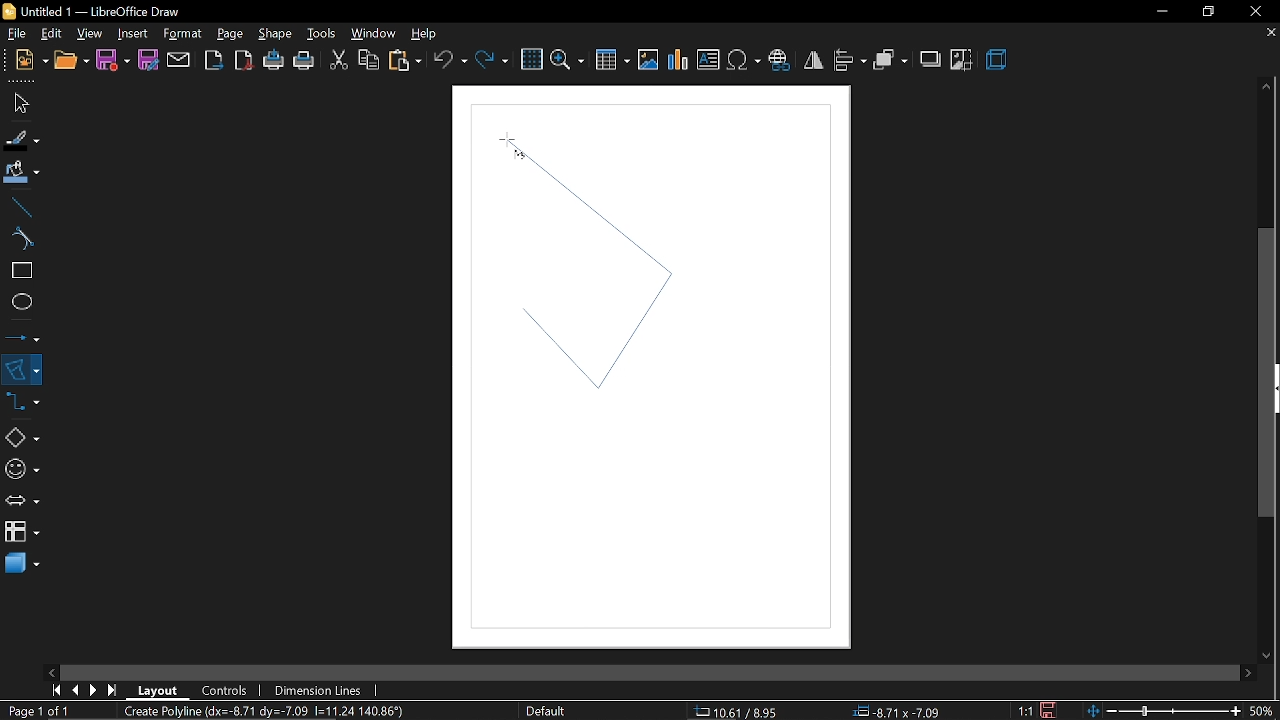 The width and height of the screenshot is (1280, 720). Describe the element at coordinates (18, 103) in the screenshot. I see `select` at that location.